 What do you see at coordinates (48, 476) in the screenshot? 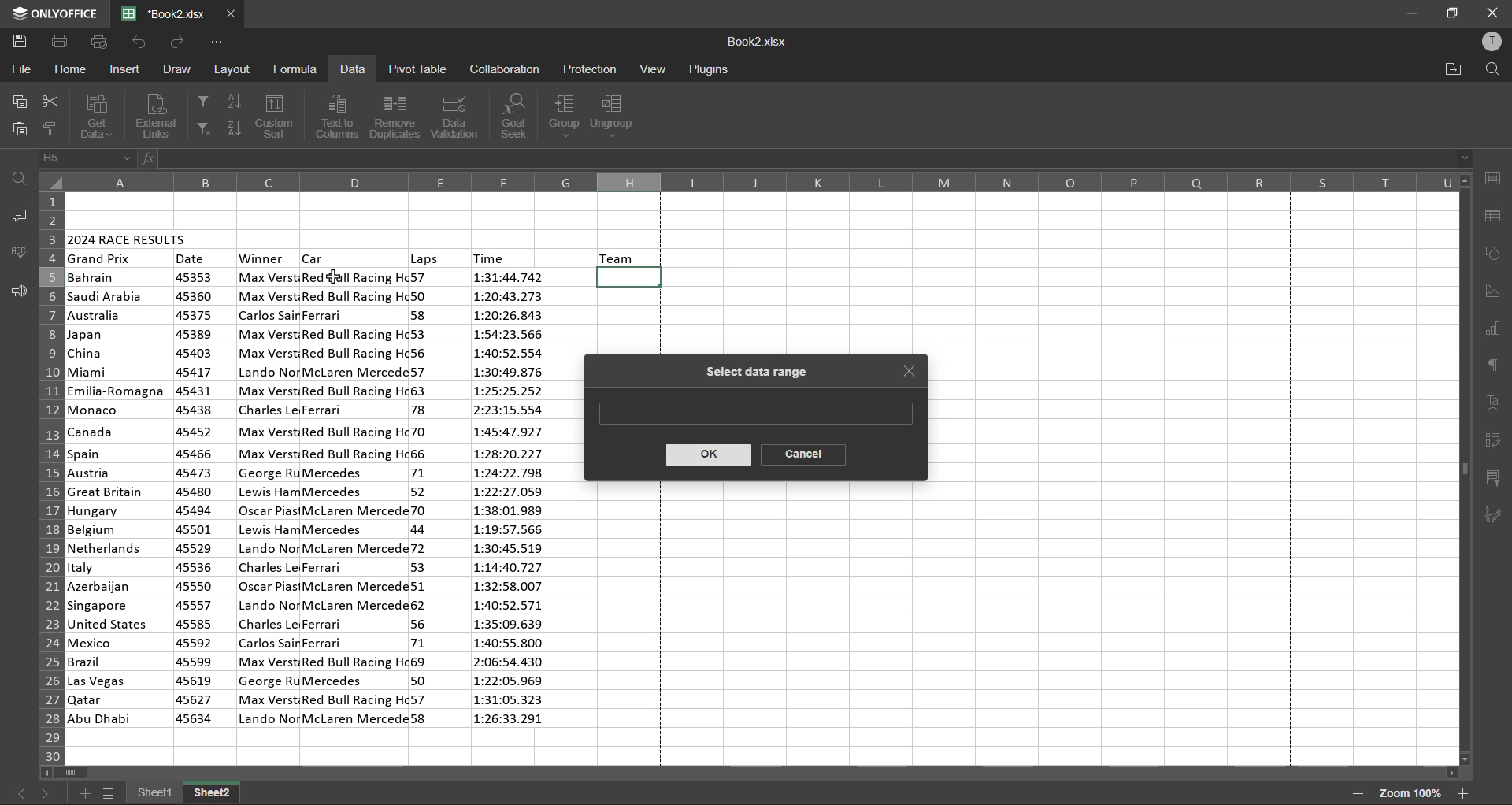
I see `row numbers` at bounding box center [48, 476].